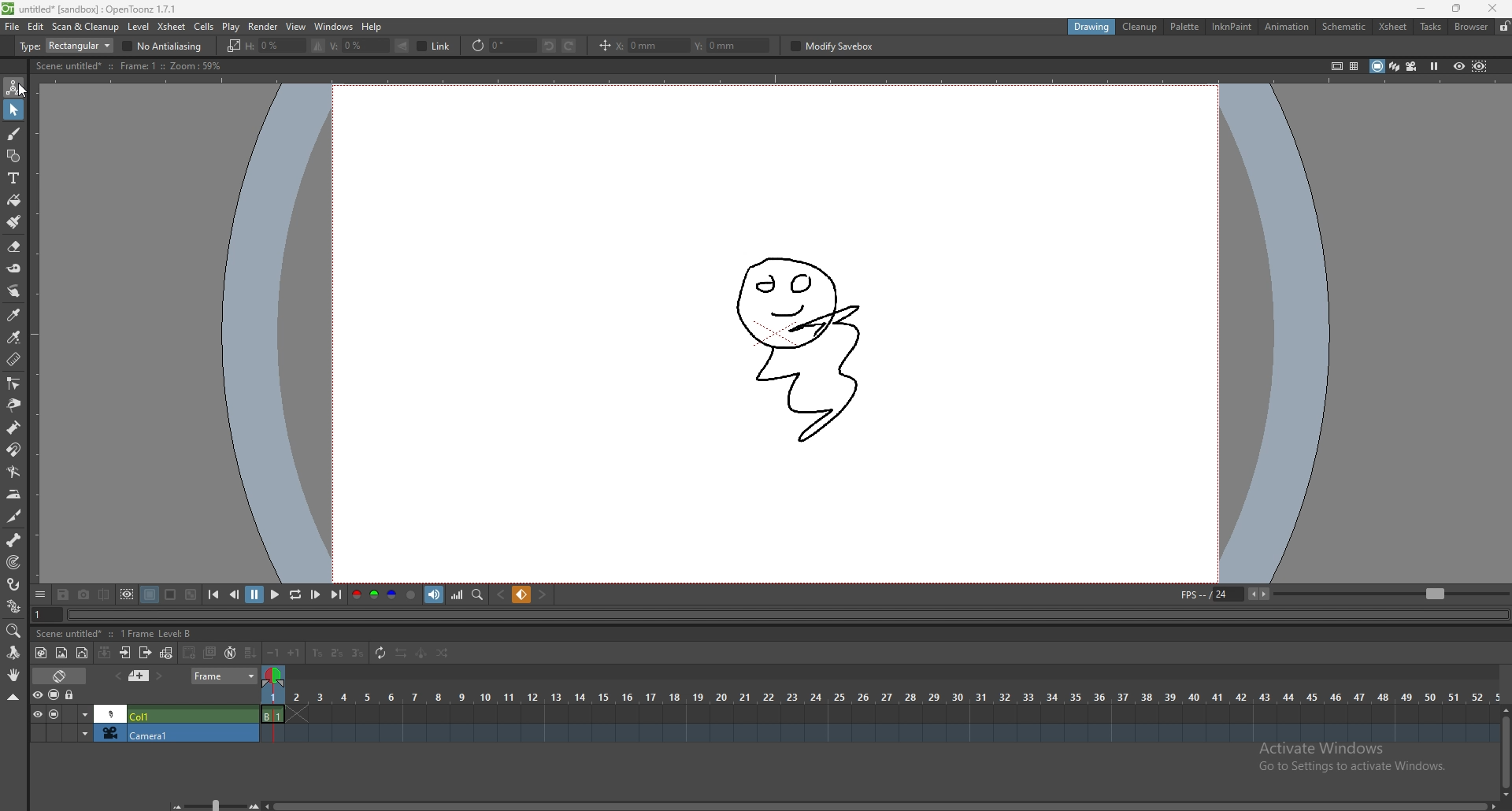 Image resolution: width=1512 pixels, height=811 pixels. What do you see at coordinates (1435, 67) in the screenshot?
I see `freeze` at bounding box center [1435, 67].